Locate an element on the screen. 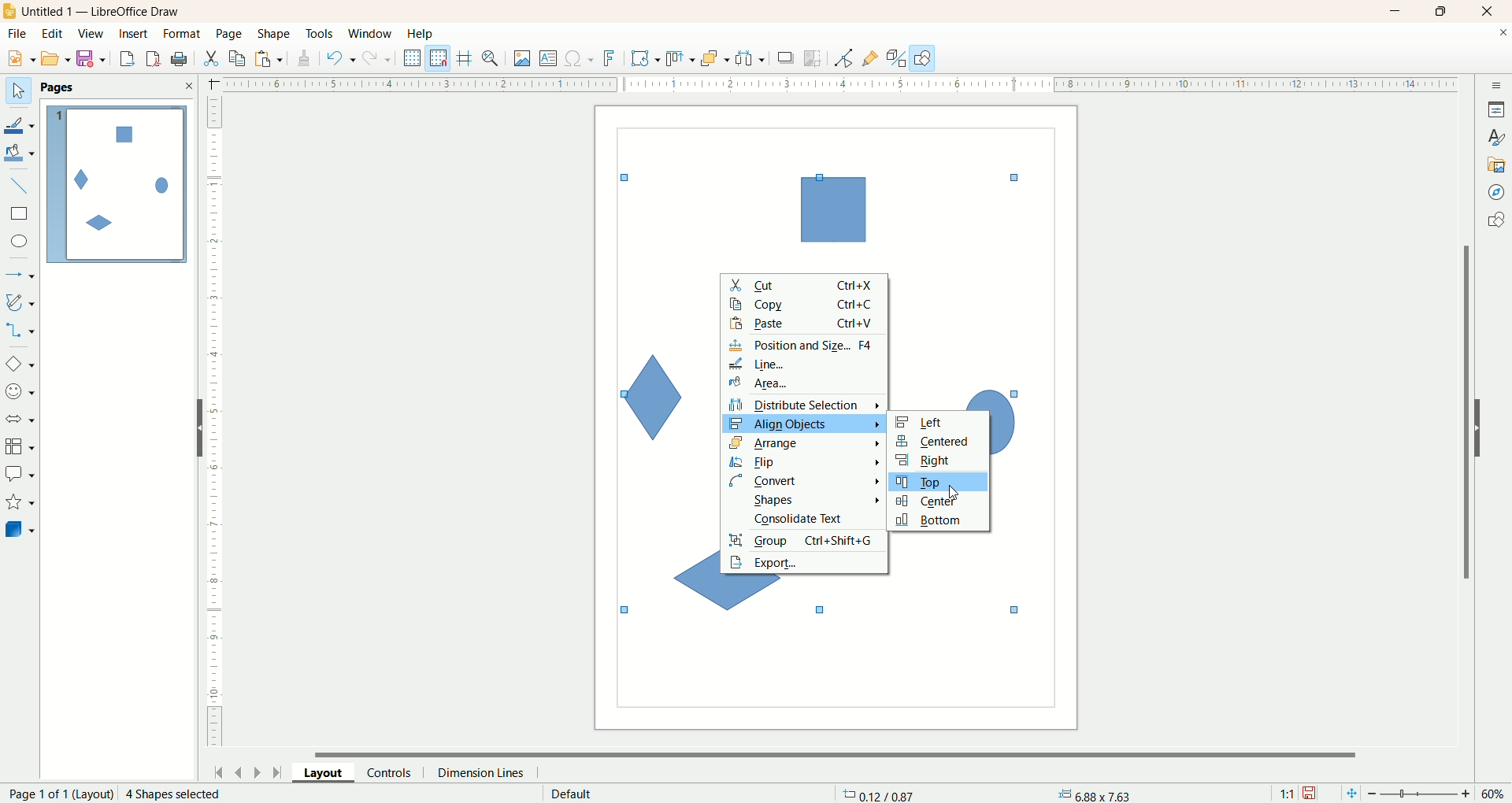 The width and height of the screenshot is (1512, 803). scale factor is located at coordinates (1287, 794).